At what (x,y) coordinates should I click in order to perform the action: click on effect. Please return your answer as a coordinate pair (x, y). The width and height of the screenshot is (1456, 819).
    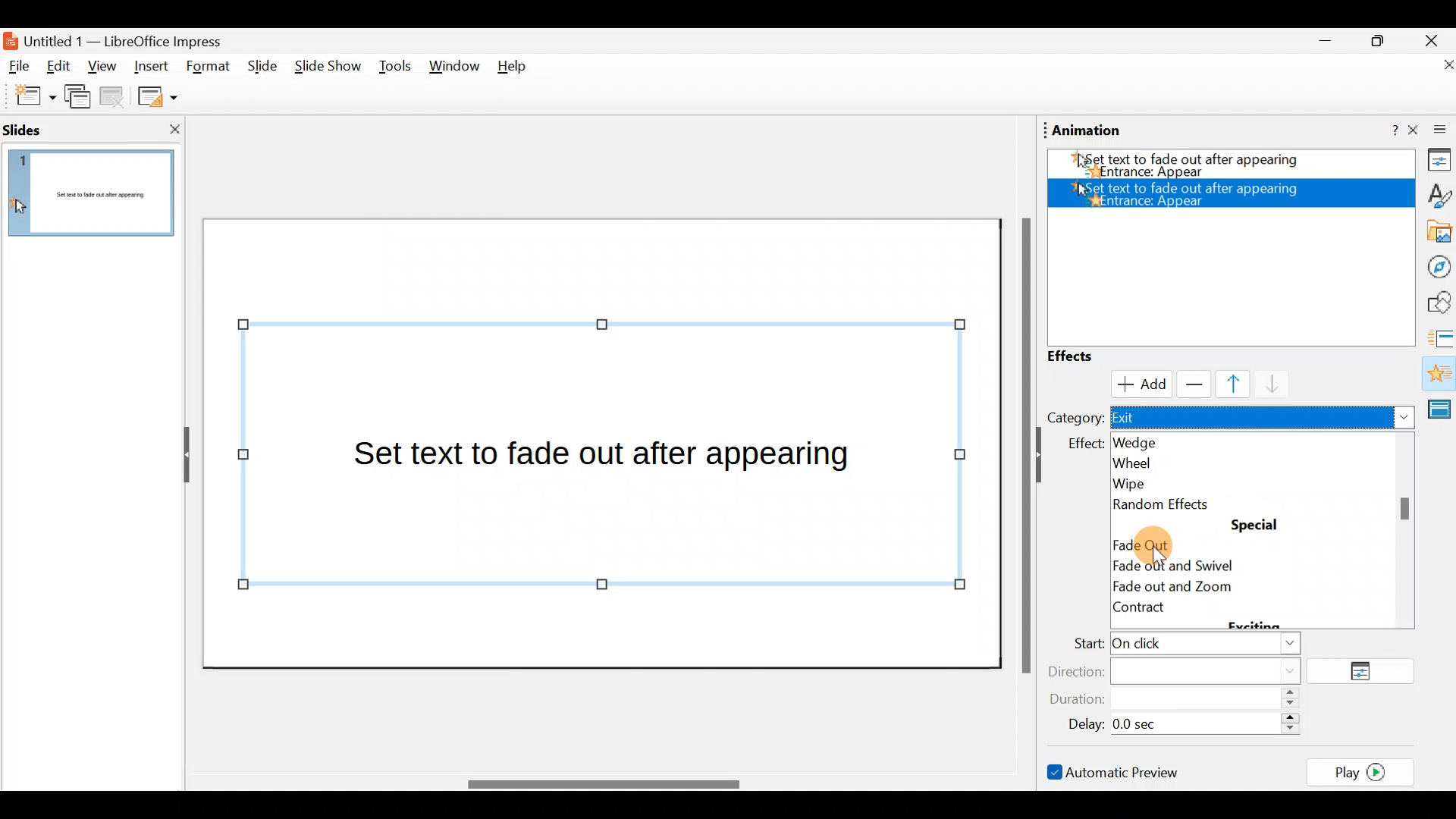
    Looking at the image, I should click on (1084, 444).